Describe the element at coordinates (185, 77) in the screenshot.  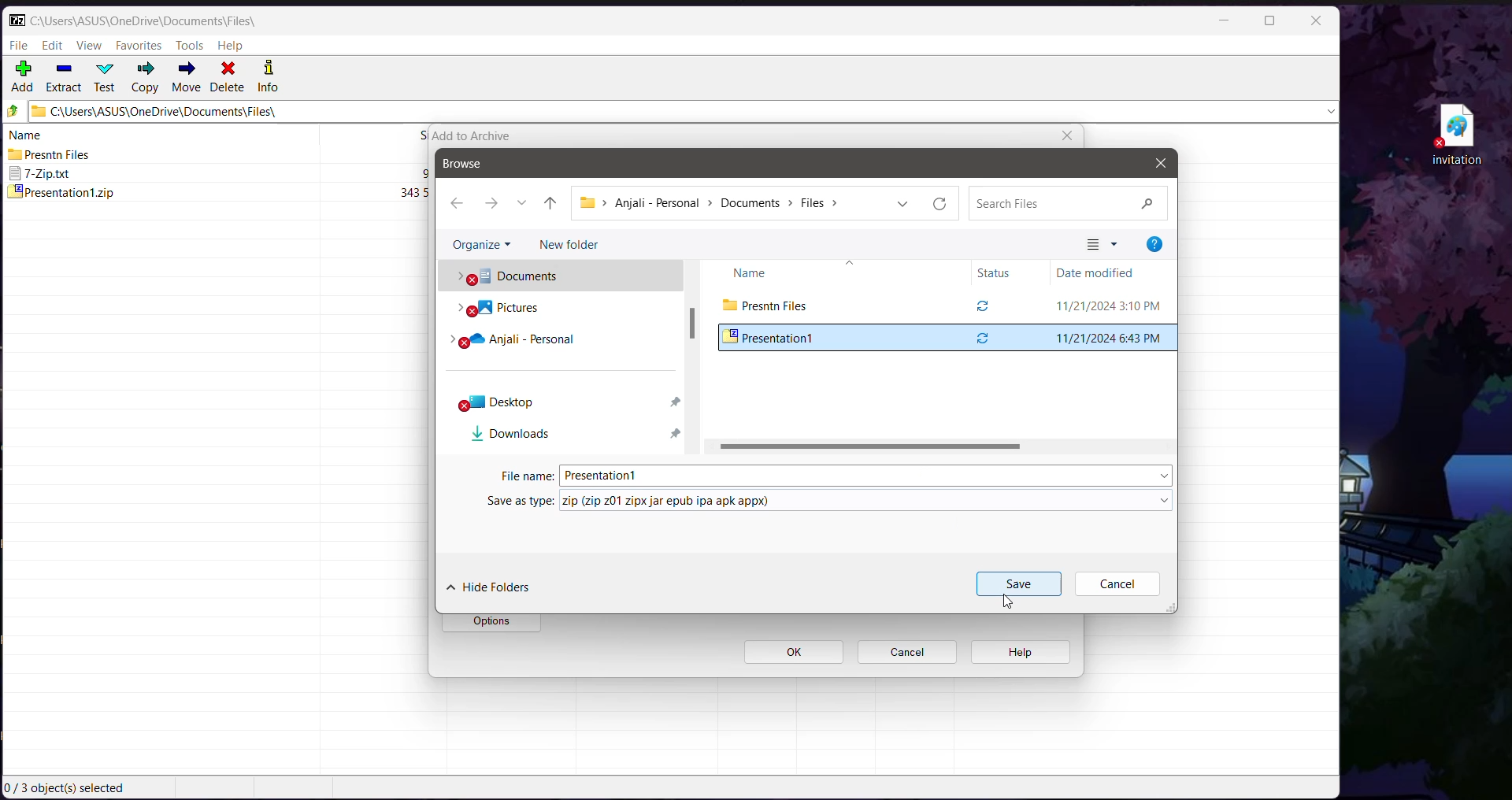
I see `Move` at that location.